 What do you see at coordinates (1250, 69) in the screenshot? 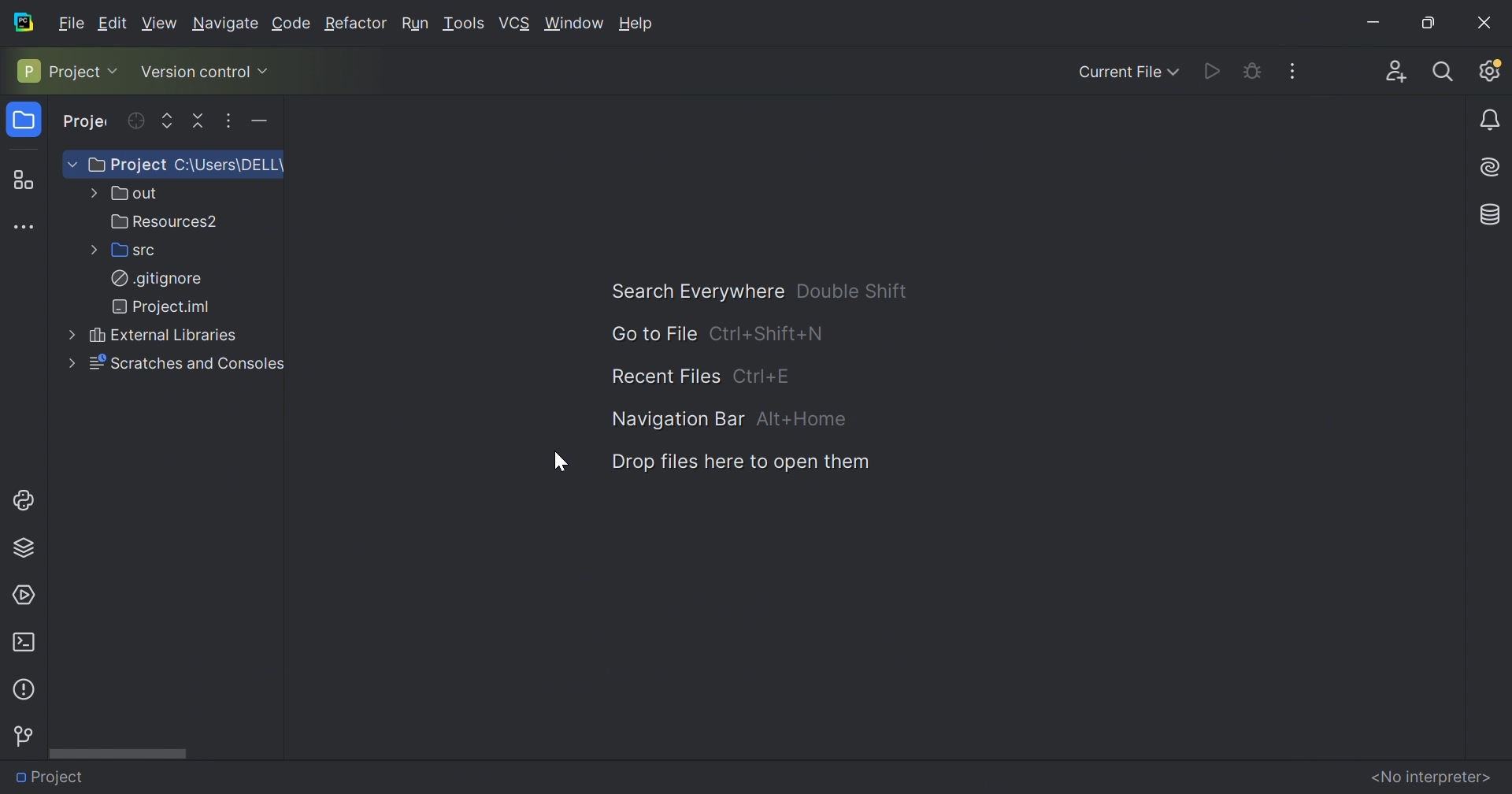
I see `Debug PythonProgram.py` at bounding box center [1250, 69].